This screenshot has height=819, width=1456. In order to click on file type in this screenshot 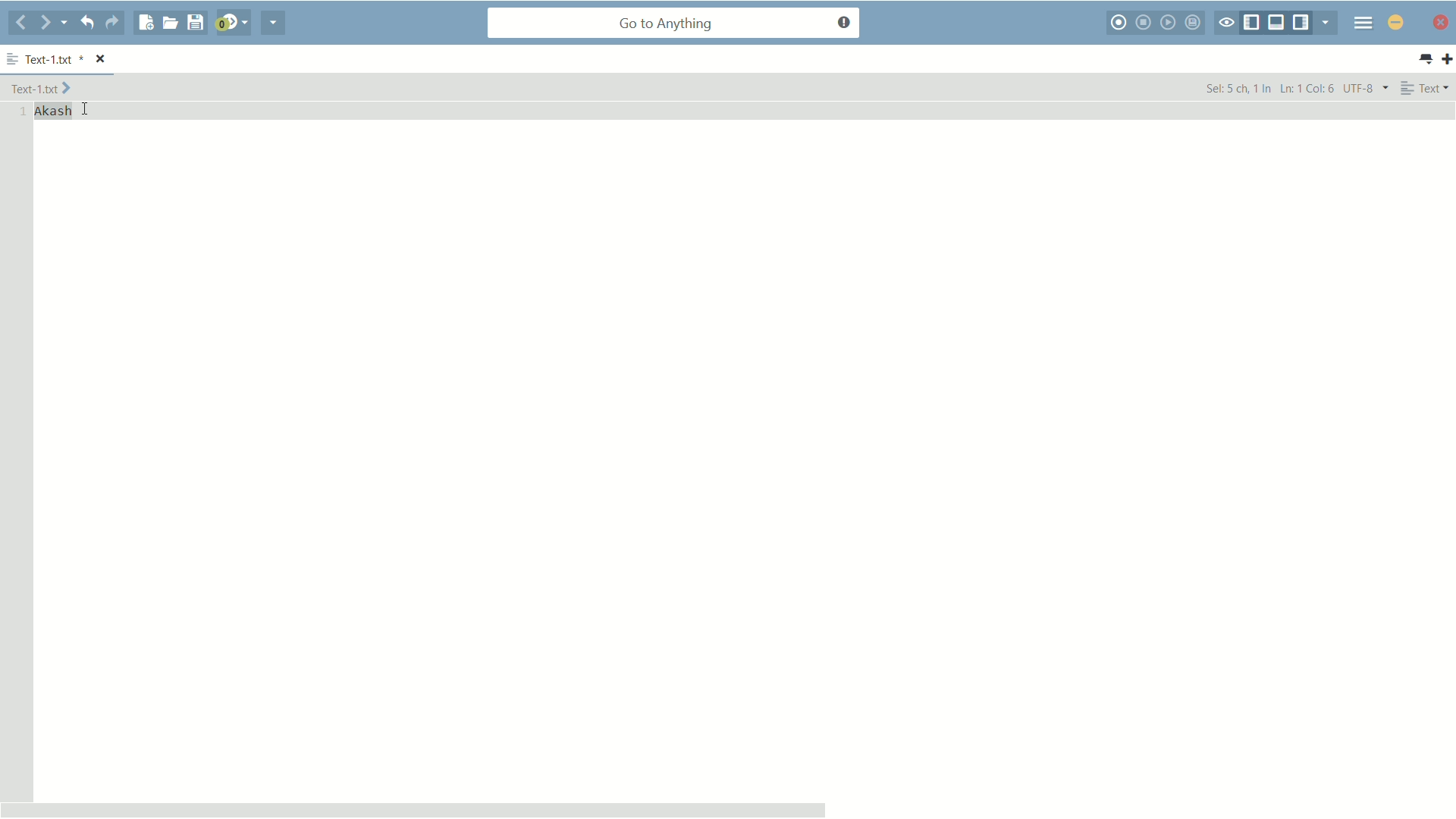, I will do `click(1426, 87)`.